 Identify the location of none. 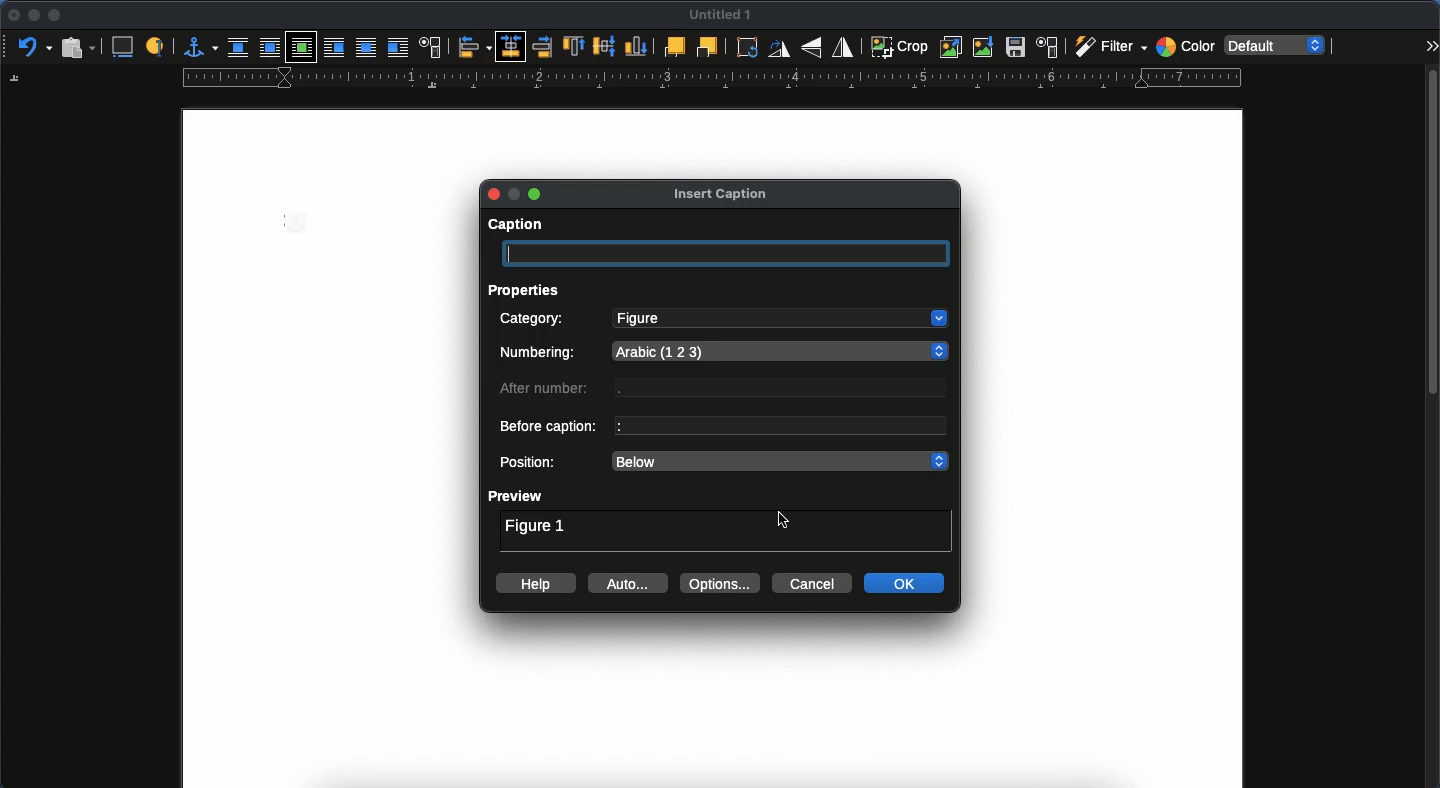
(238, 46).